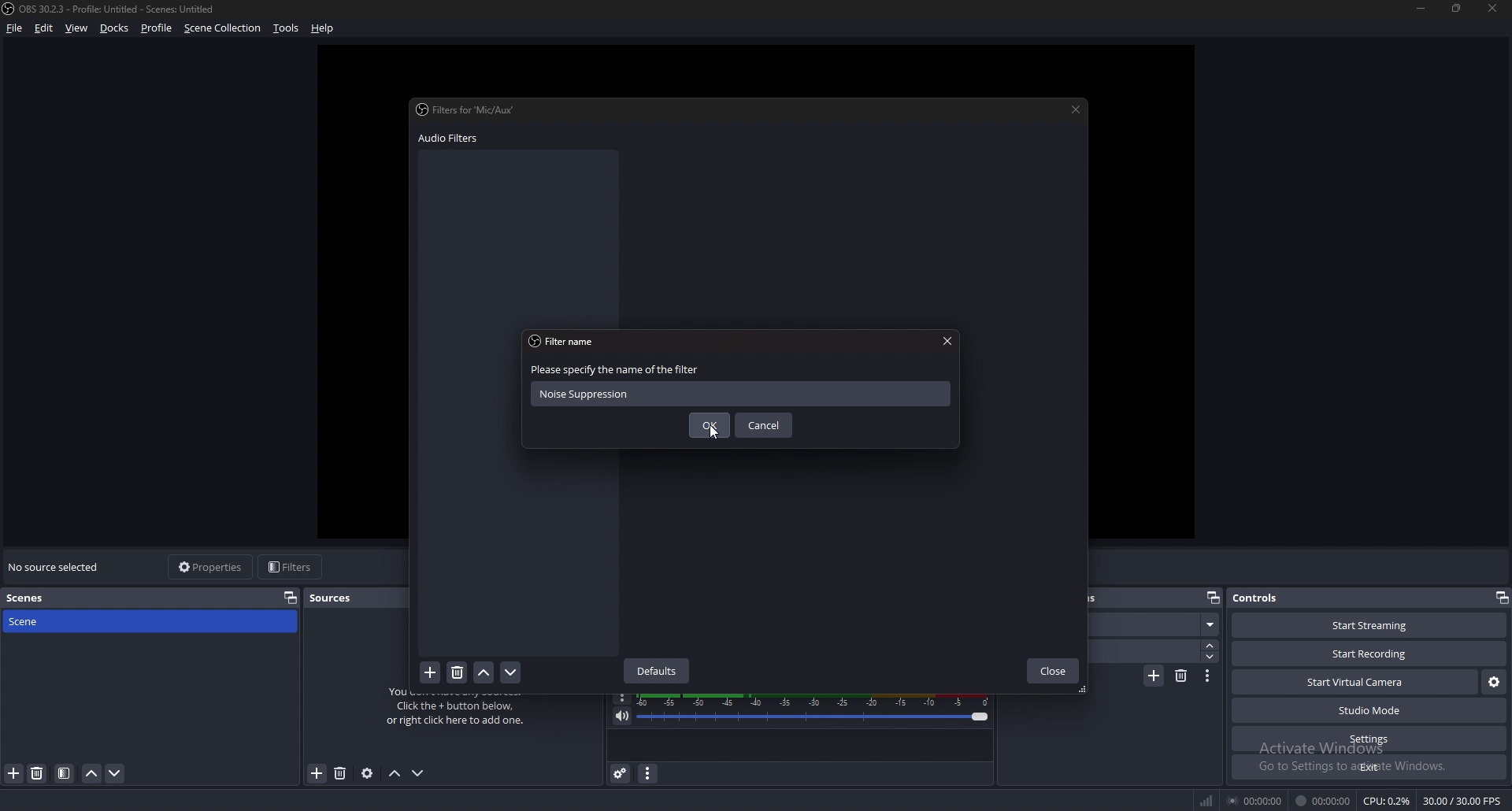  I want to click on filter name, so click(569, 341).